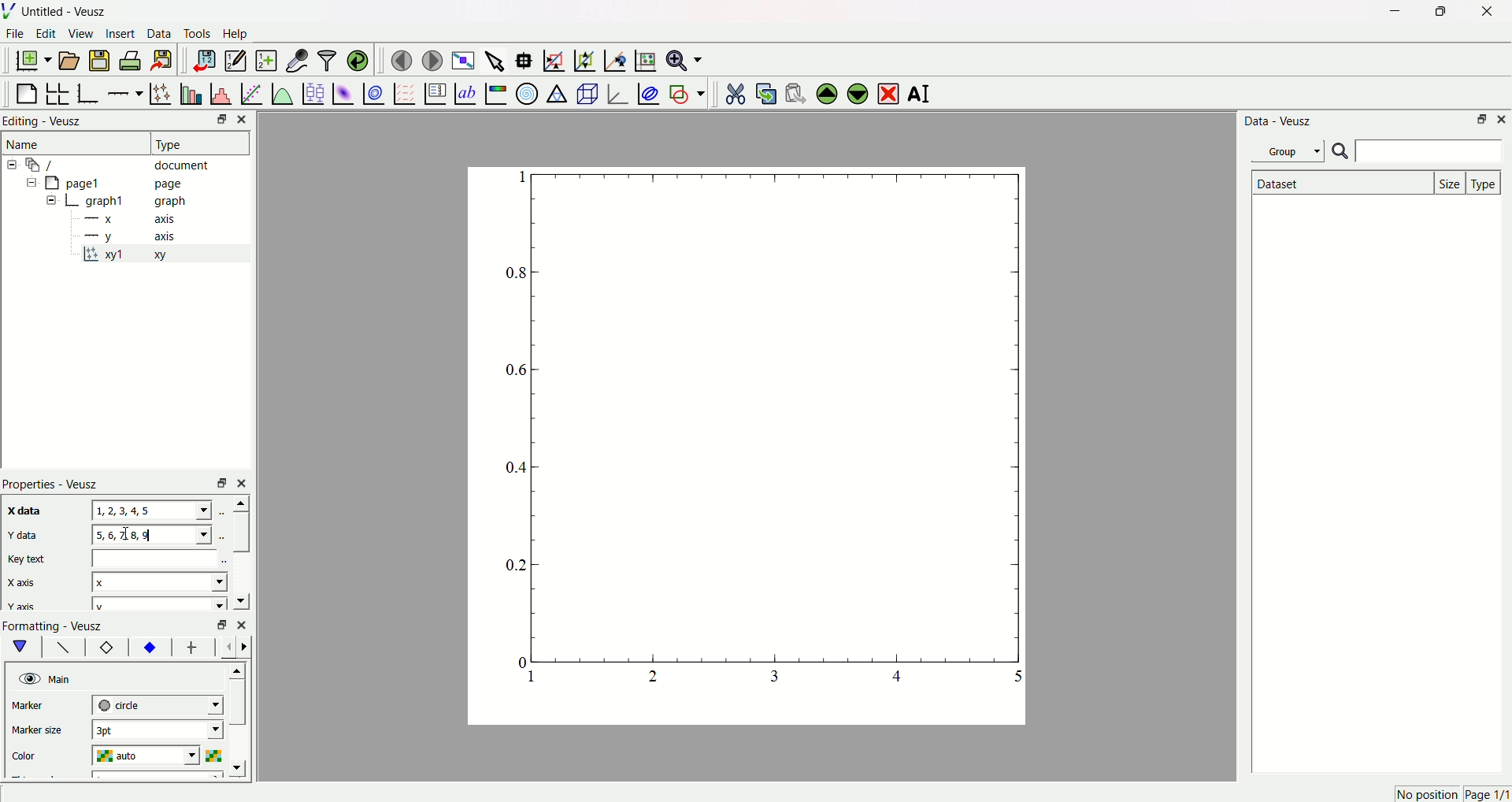 The height and width of the screenshot is (802, 1512). I want to click on xy1 xy, so click(135, 255).